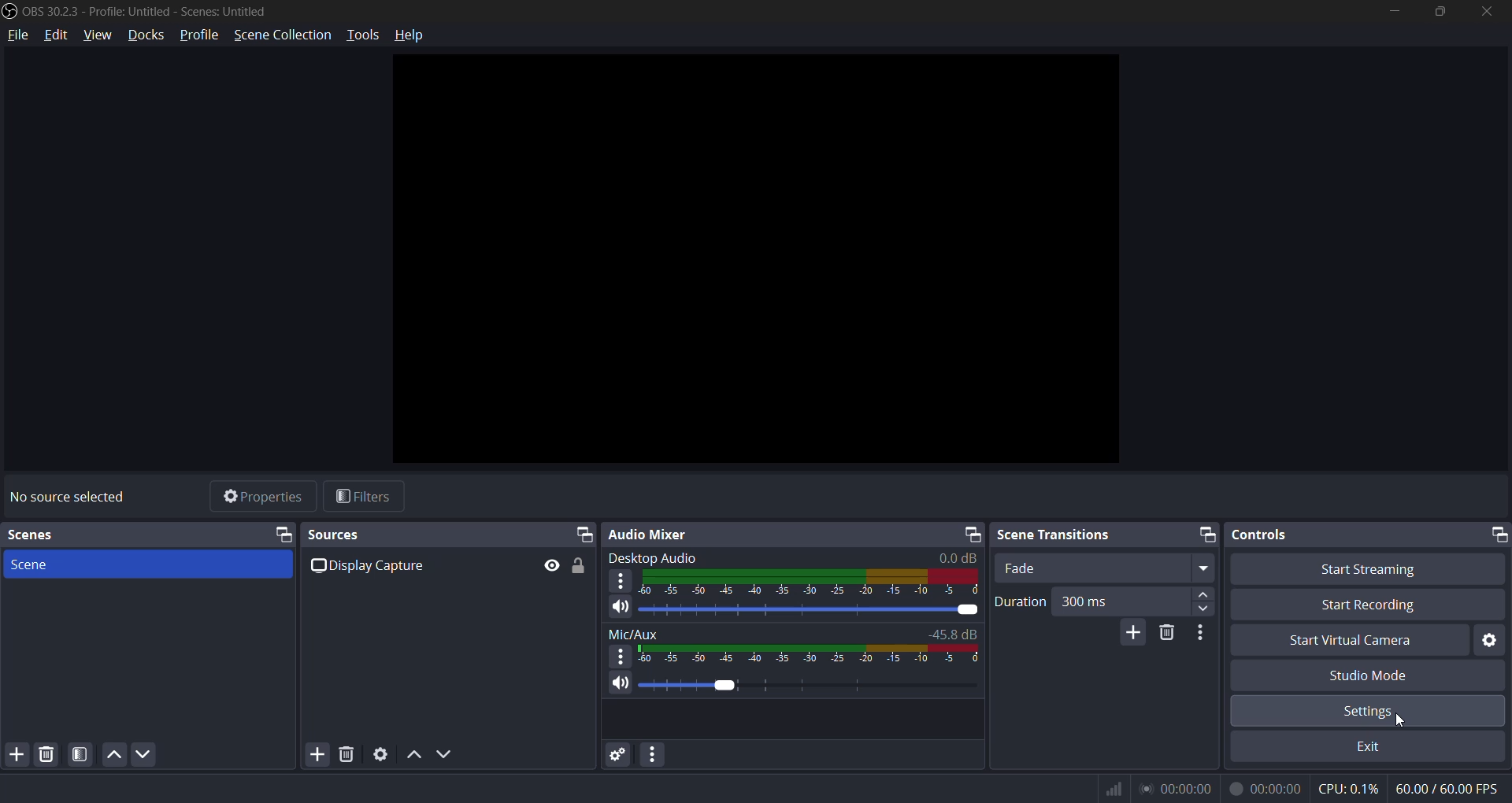 The width and height of the screenshot is (1512, 803). What do you see at coordinates (1266, 790) in the screenshot?
I see `00:00:00` at bounding box center [1266, 790].